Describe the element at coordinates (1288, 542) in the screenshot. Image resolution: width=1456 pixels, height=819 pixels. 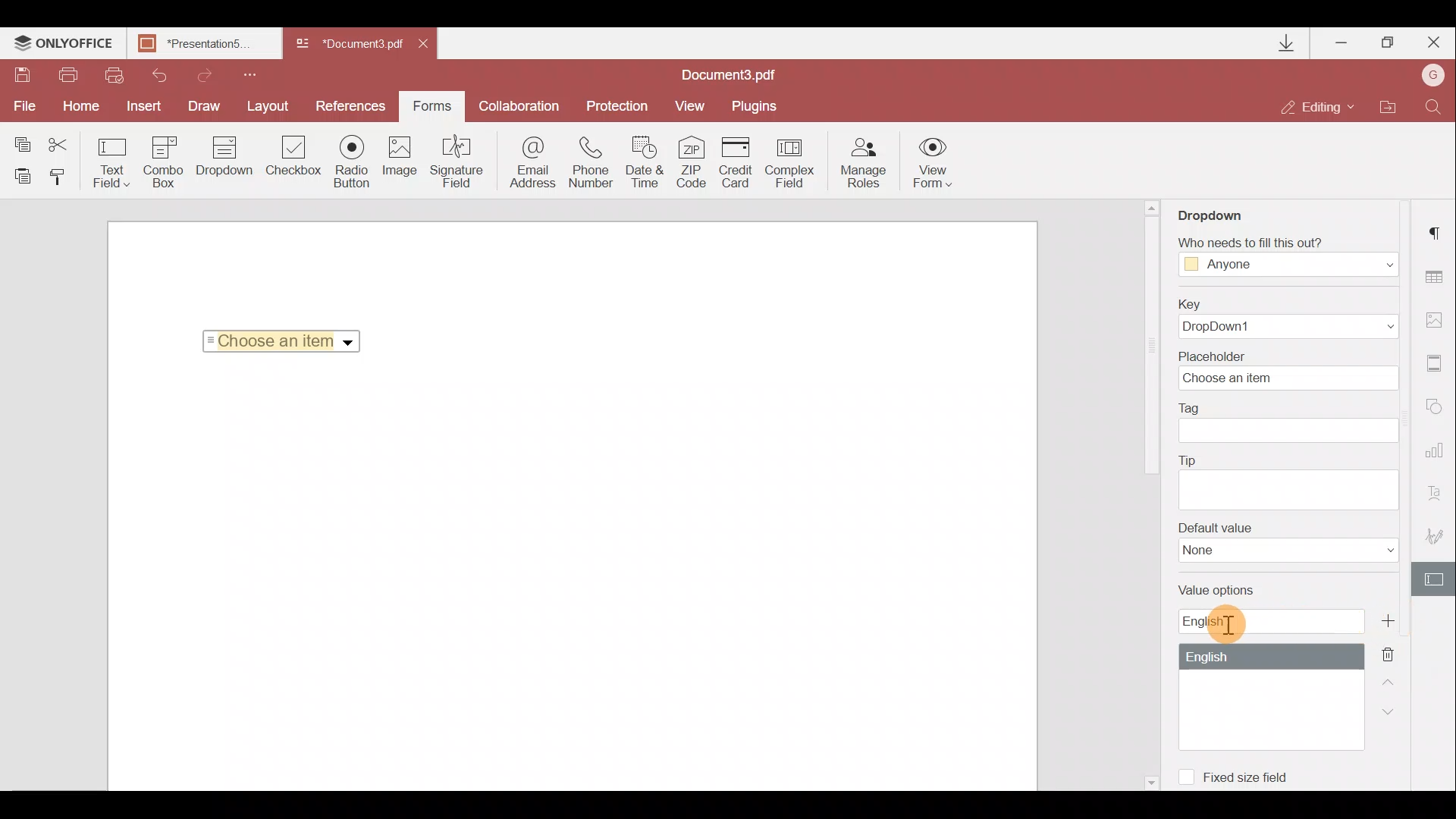
I see `Default value` at that location.